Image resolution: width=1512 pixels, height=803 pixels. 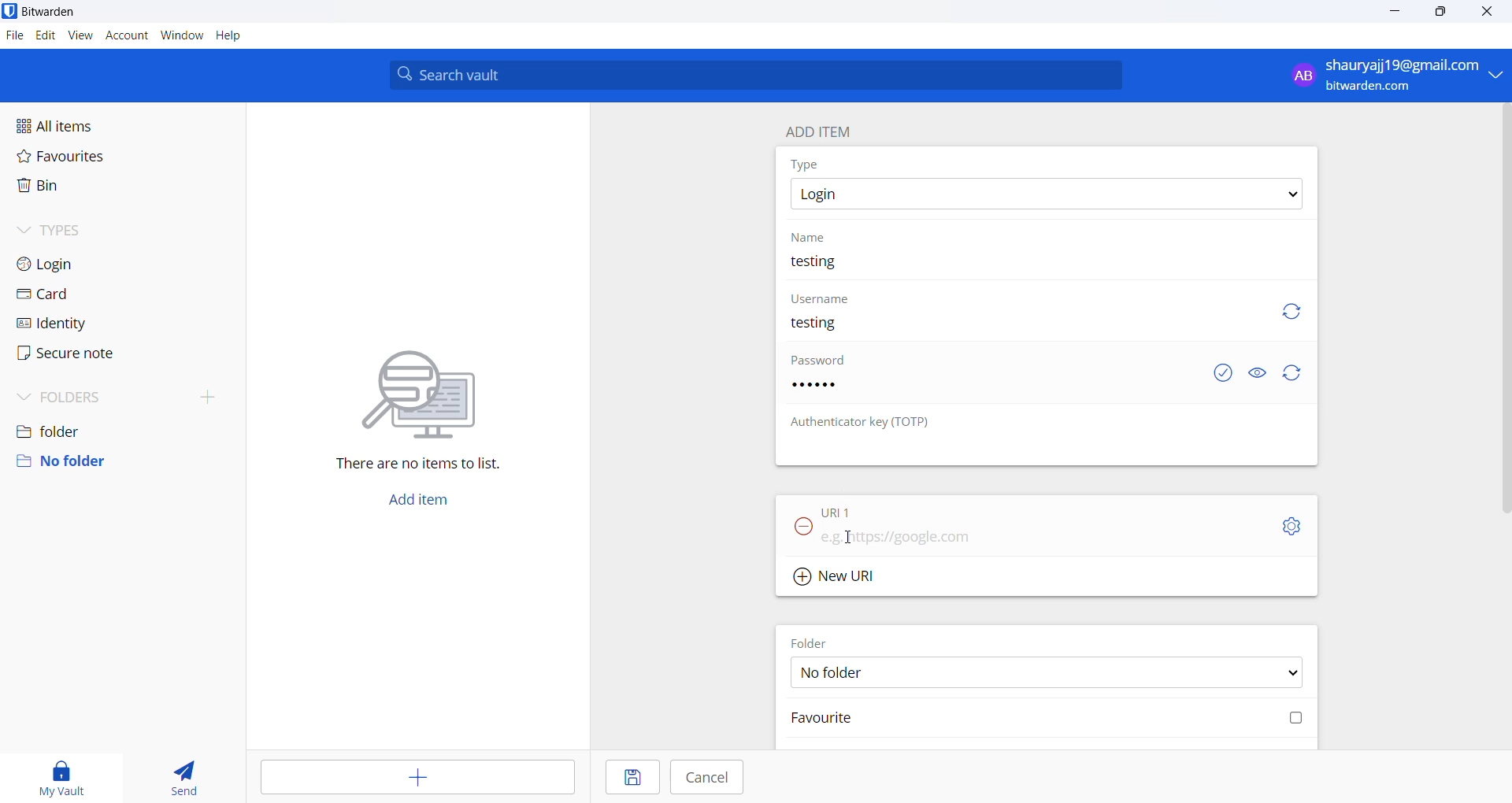 What do you see at coordinates (126, 394) in the screenshot?
I see `folders` at bounding box center [126, 394].